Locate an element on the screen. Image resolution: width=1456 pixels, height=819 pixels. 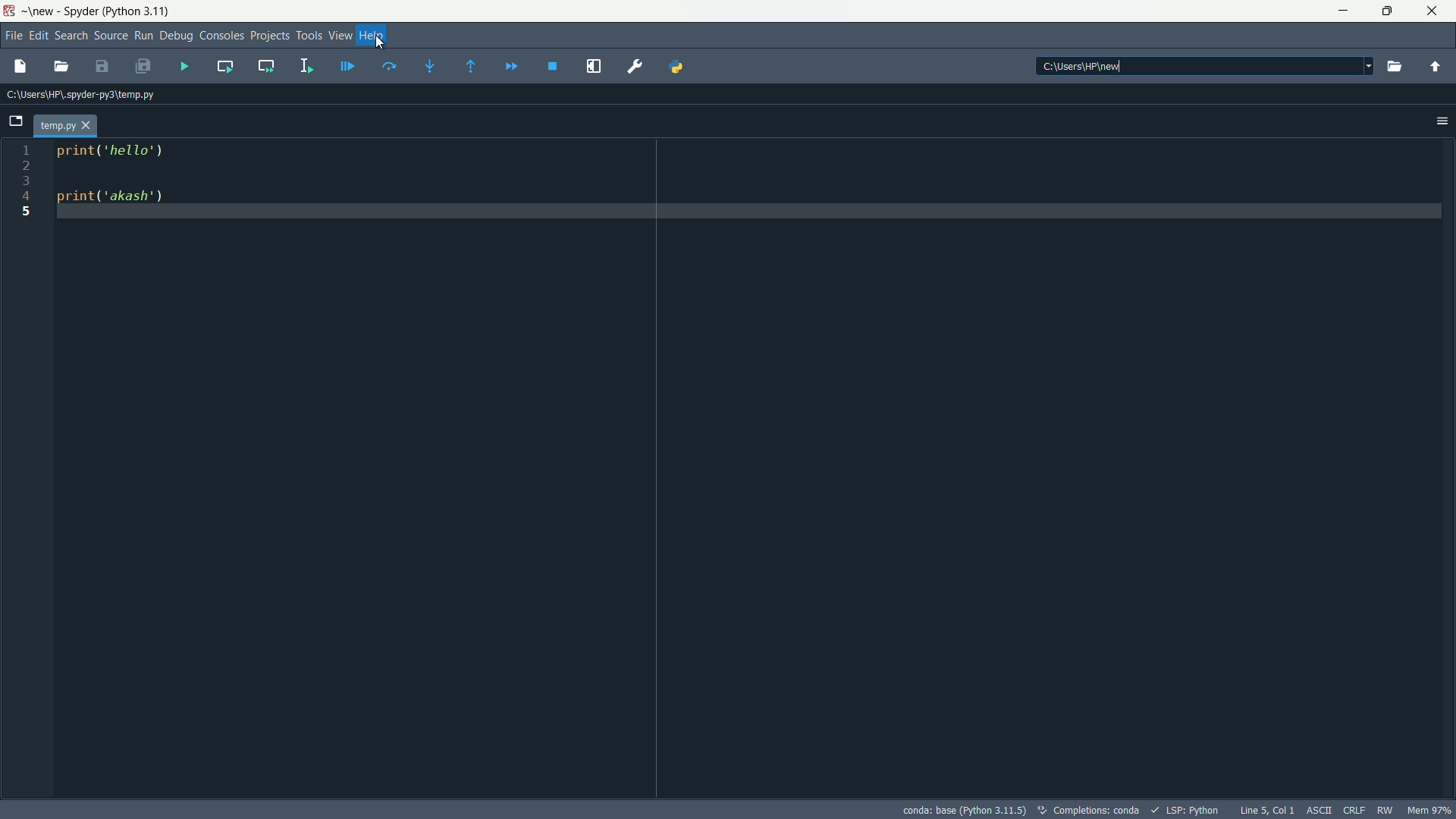
save all files is located at coordinates (146, 67).